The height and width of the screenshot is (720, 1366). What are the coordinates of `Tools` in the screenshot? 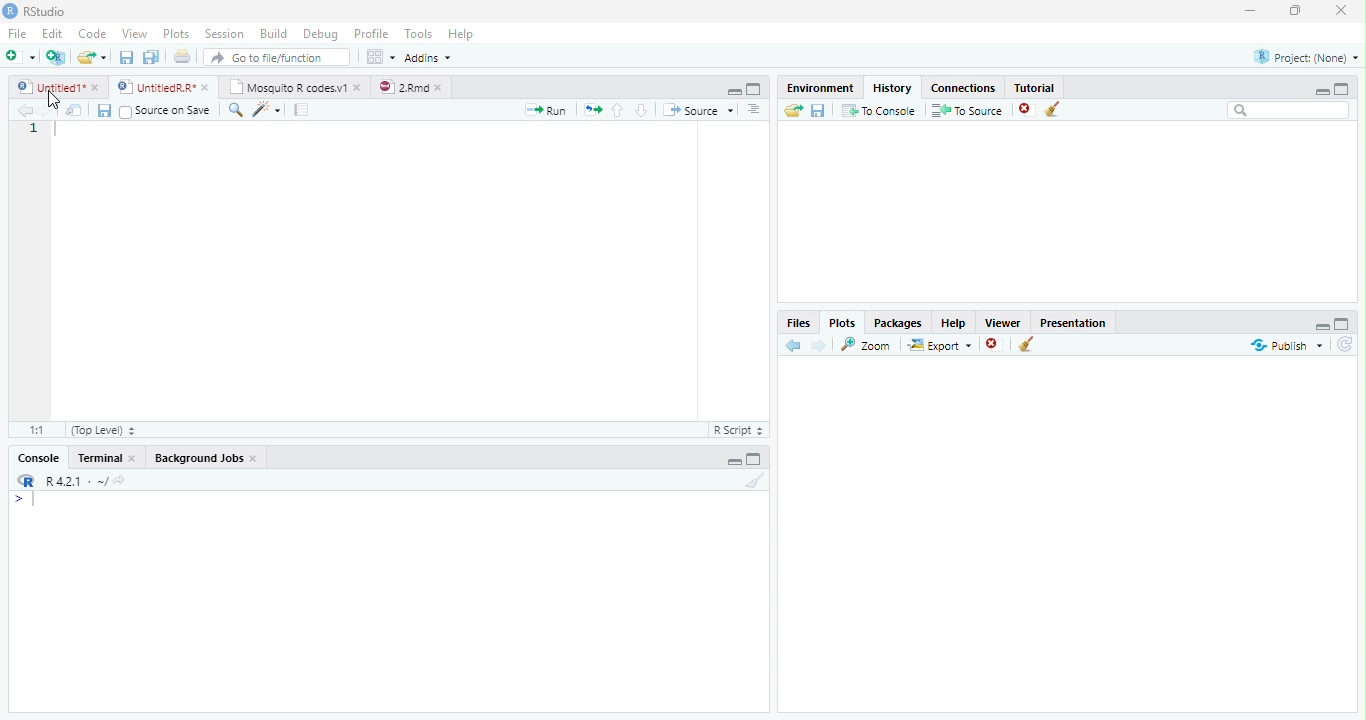 It's located at (420, 33).